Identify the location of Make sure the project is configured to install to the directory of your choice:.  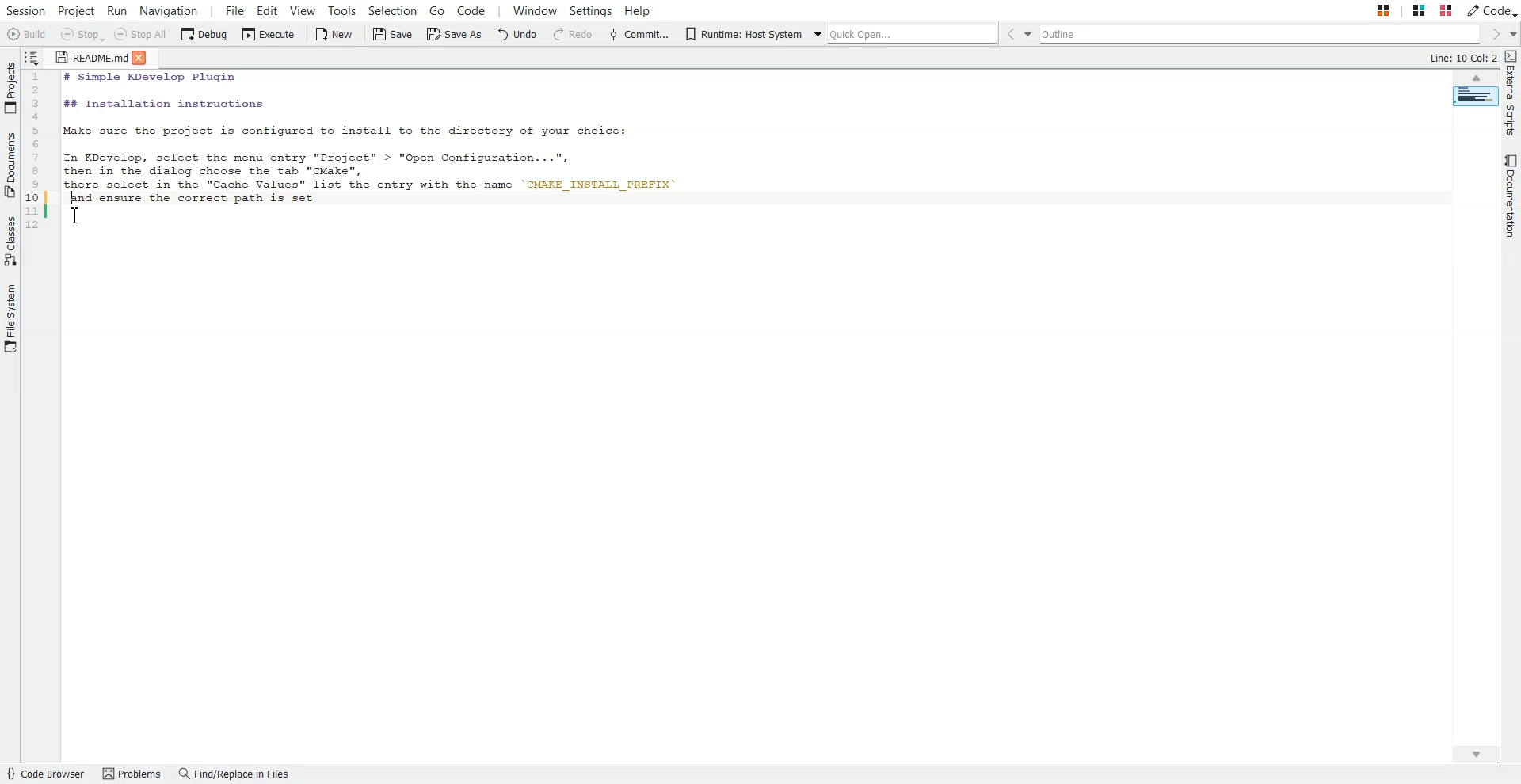
(364, 132).